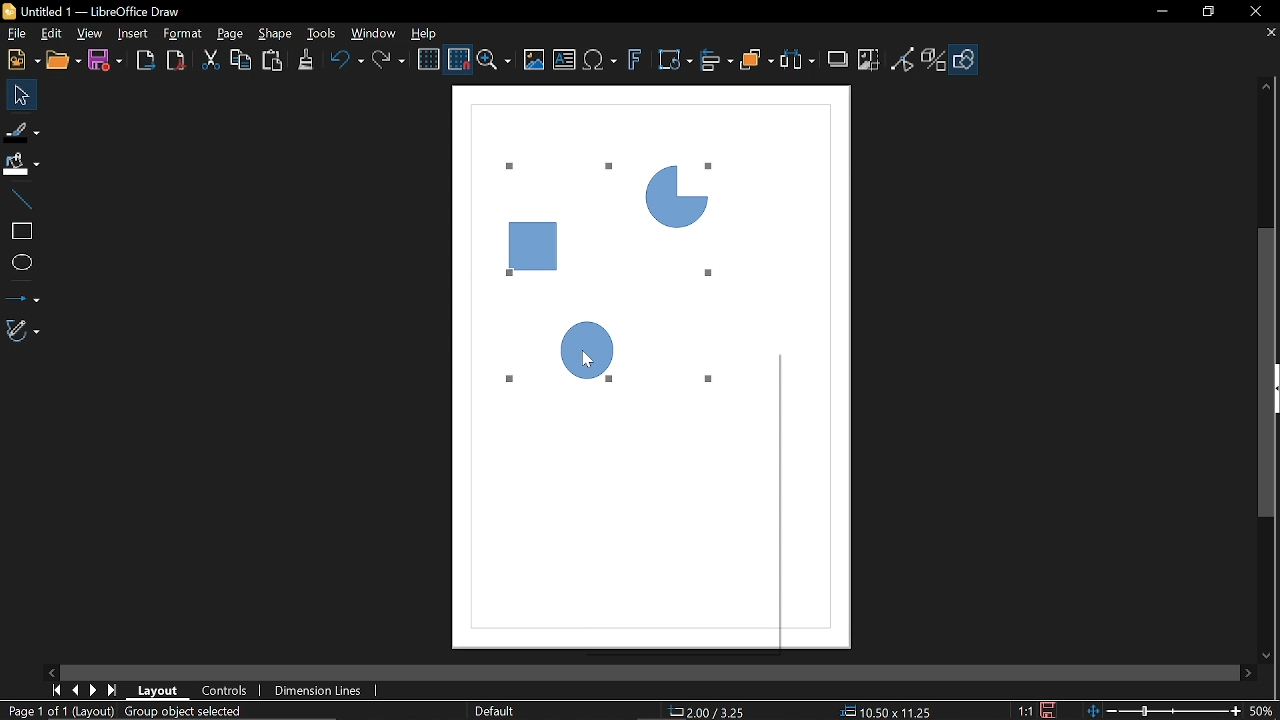 Image resolution: width=1280 pixels, height=720 pixels. I want to click on Current zoom, so click(1264, 710).